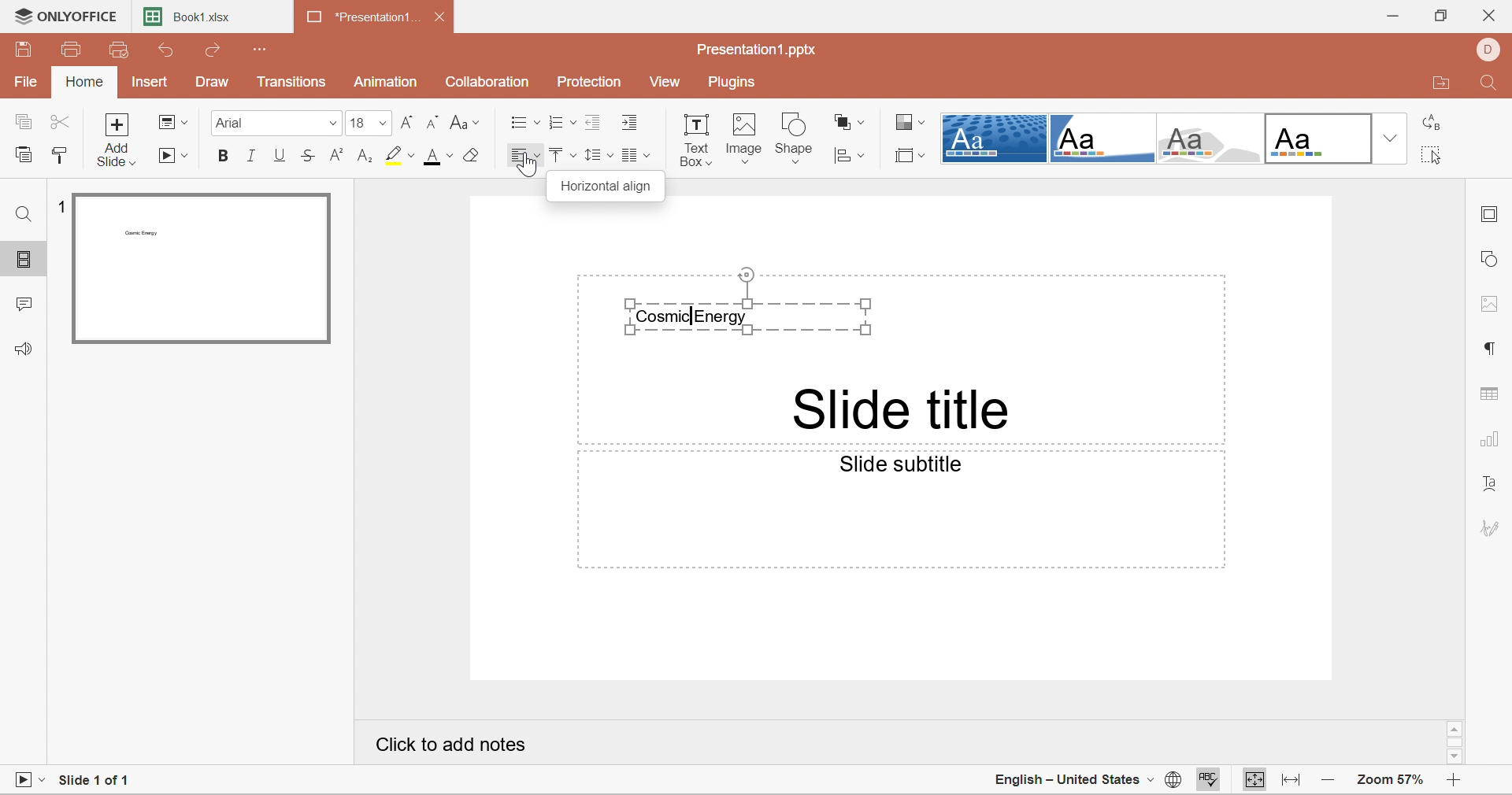 The height and width of the screenshot is (795, 1512). What do you see at coordinates (762, 52) in the screenshot?
I see `Presentation1.pptx` at bounding box center [762, 52].